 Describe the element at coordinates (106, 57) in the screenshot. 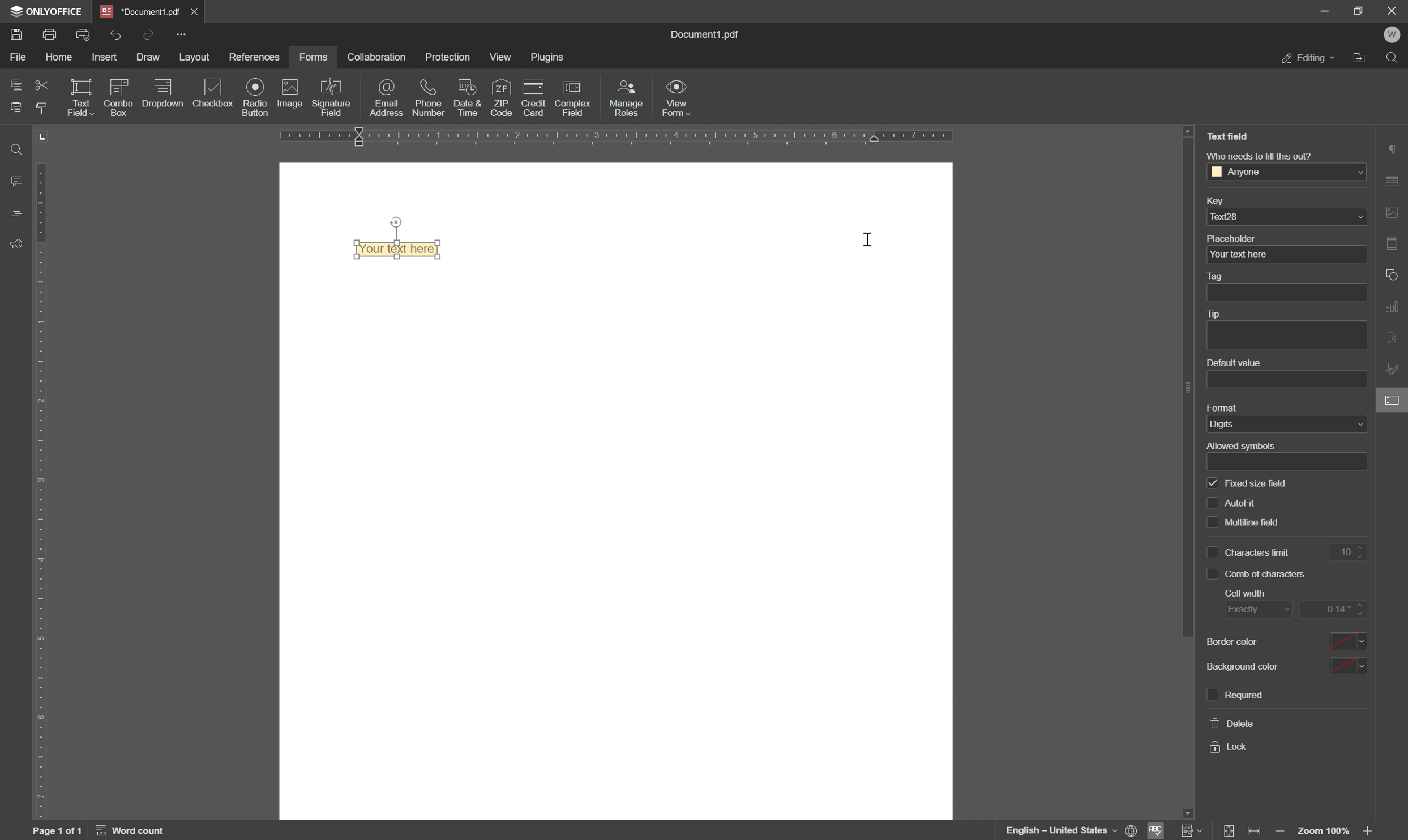

I see `insert` at that location.